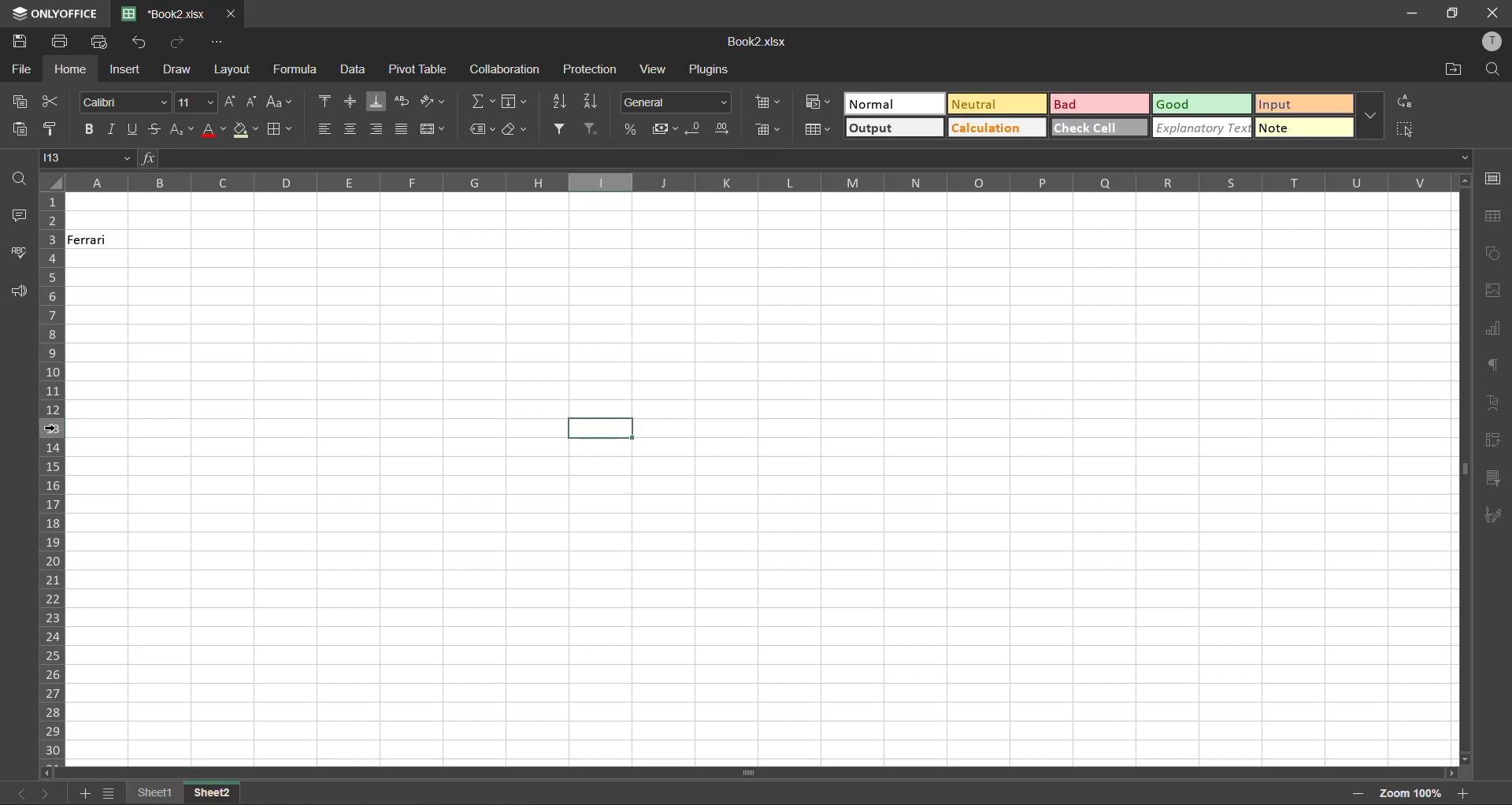 The height and width of the screenshot is (805, 1512). What do you see at coordinates (281, 103) in the screenshot?
I see `change case` at bounding box center [281, 103].